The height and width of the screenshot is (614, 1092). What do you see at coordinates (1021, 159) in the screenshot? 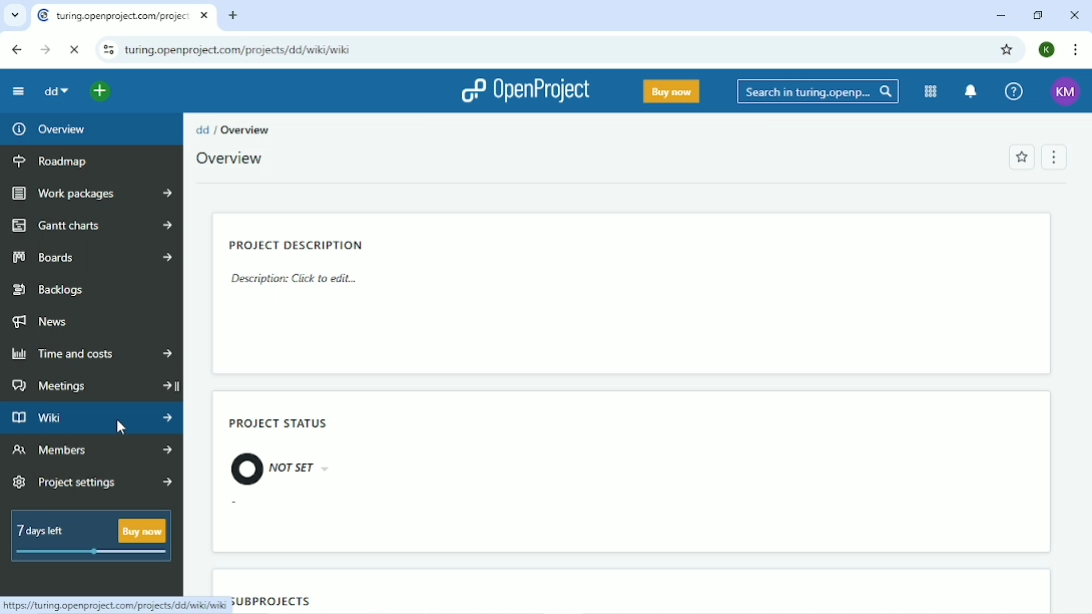
I see `Add to favorites` at bounding box center [1021, 159].